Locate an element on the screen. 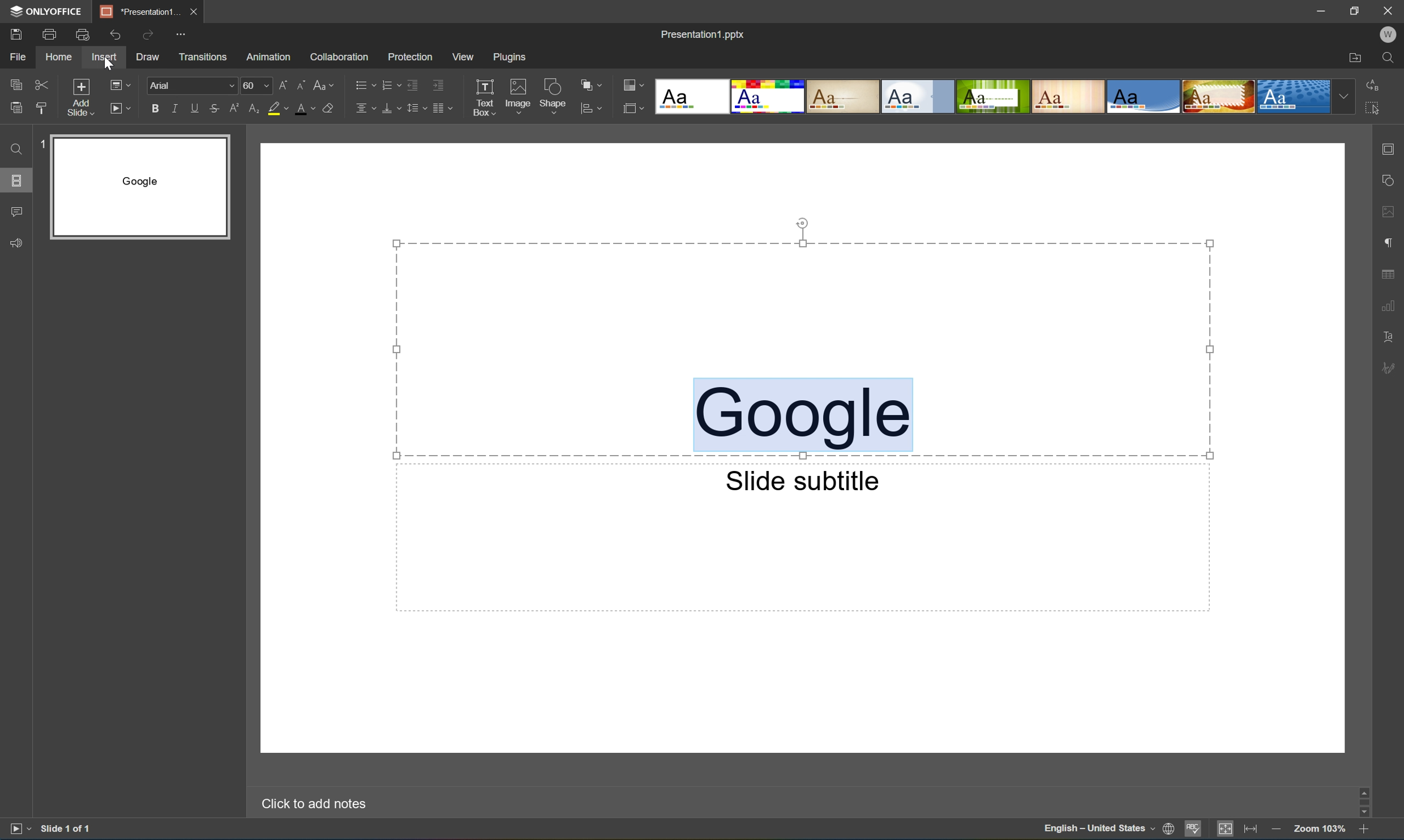 The width and height of the screenshot is (1404, 840). Subscript is located at coordinates (255, 109).